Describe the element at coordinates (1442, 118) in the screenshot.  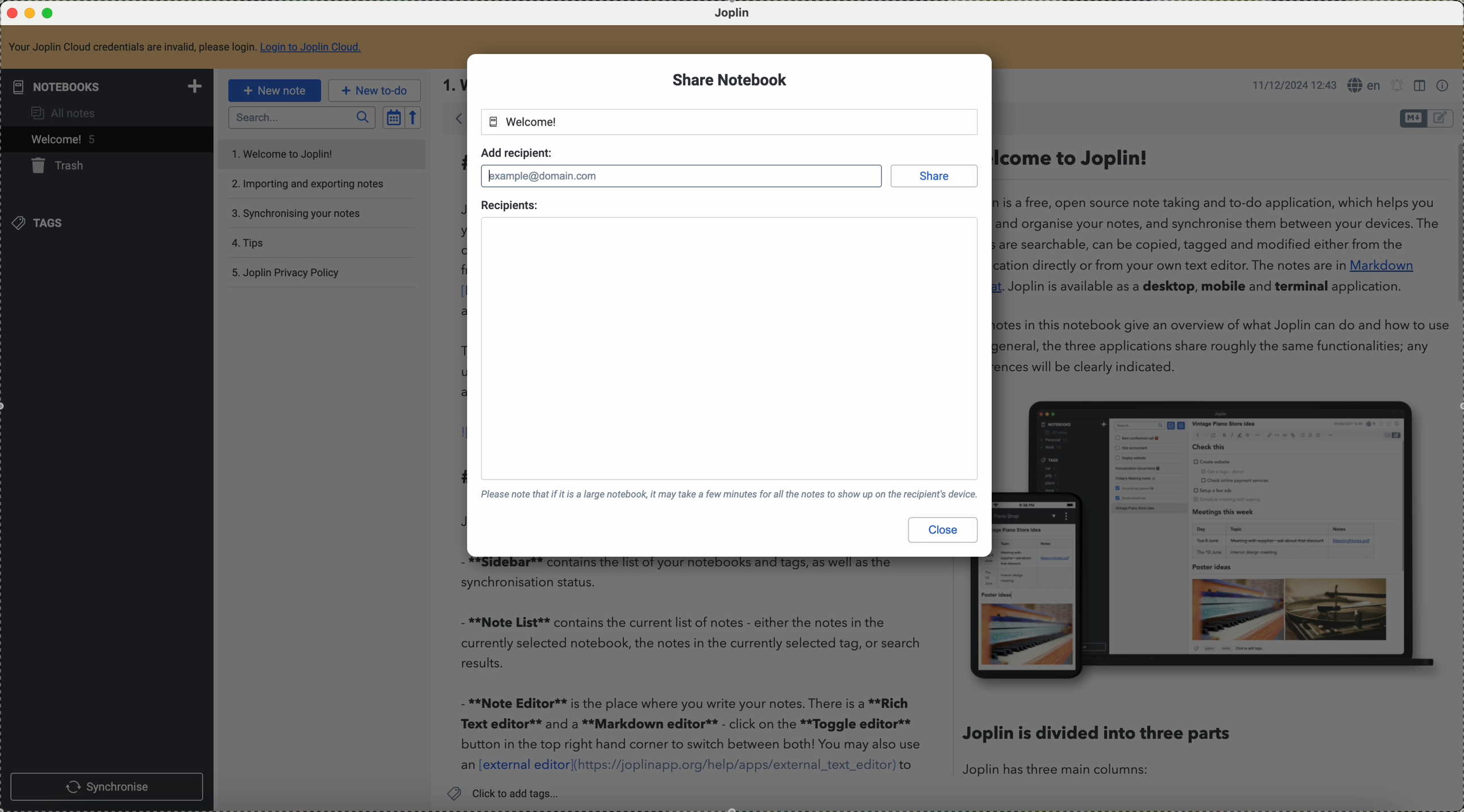
I see `toggle editor` at that location.